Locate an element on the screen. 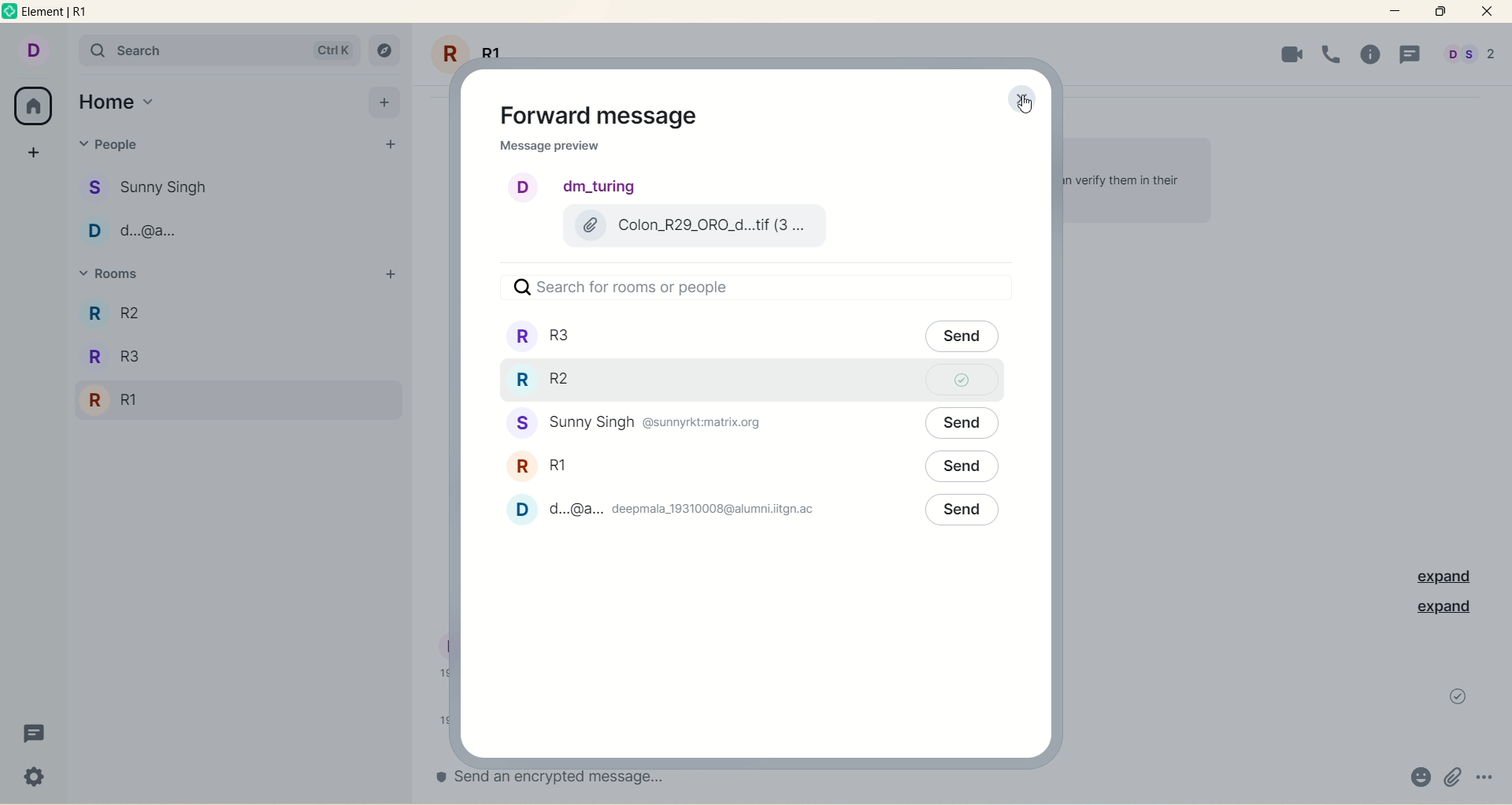 This screenshot has width=1512, height=805. home is located at coordinates (117, 102).